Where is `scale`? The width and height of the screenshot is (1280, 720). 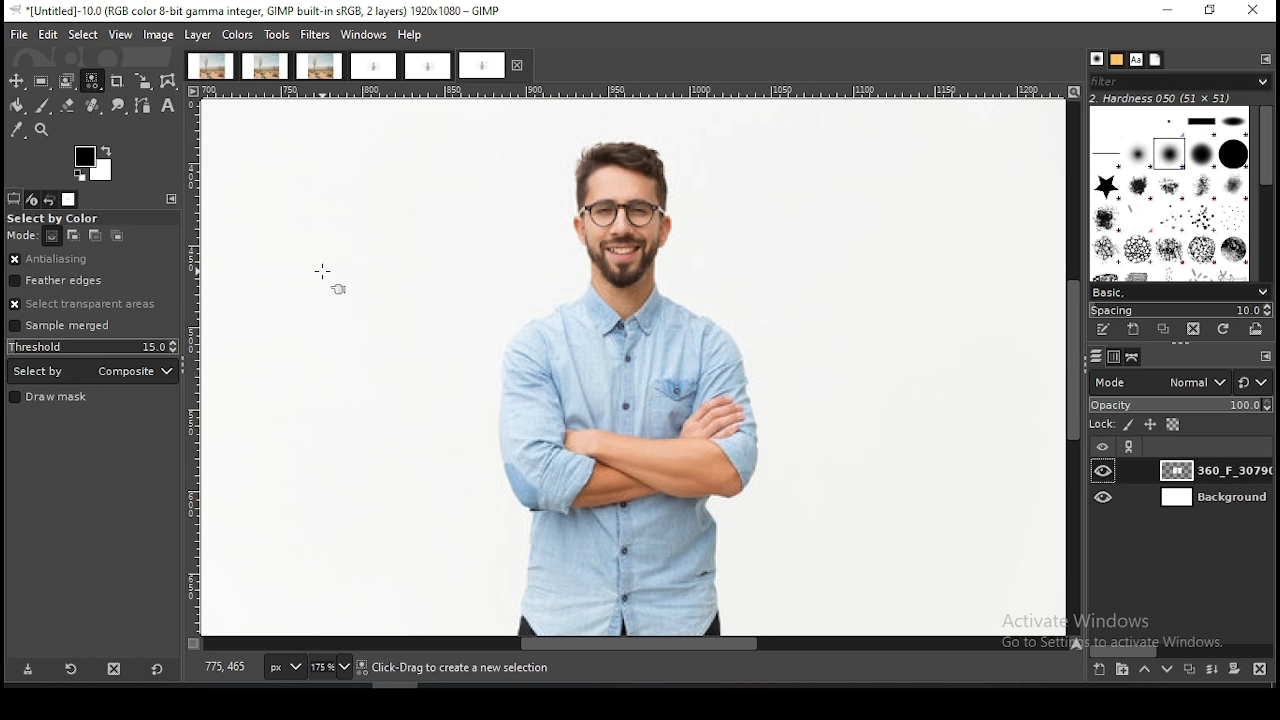 scale is located at coordinates (194, 368).